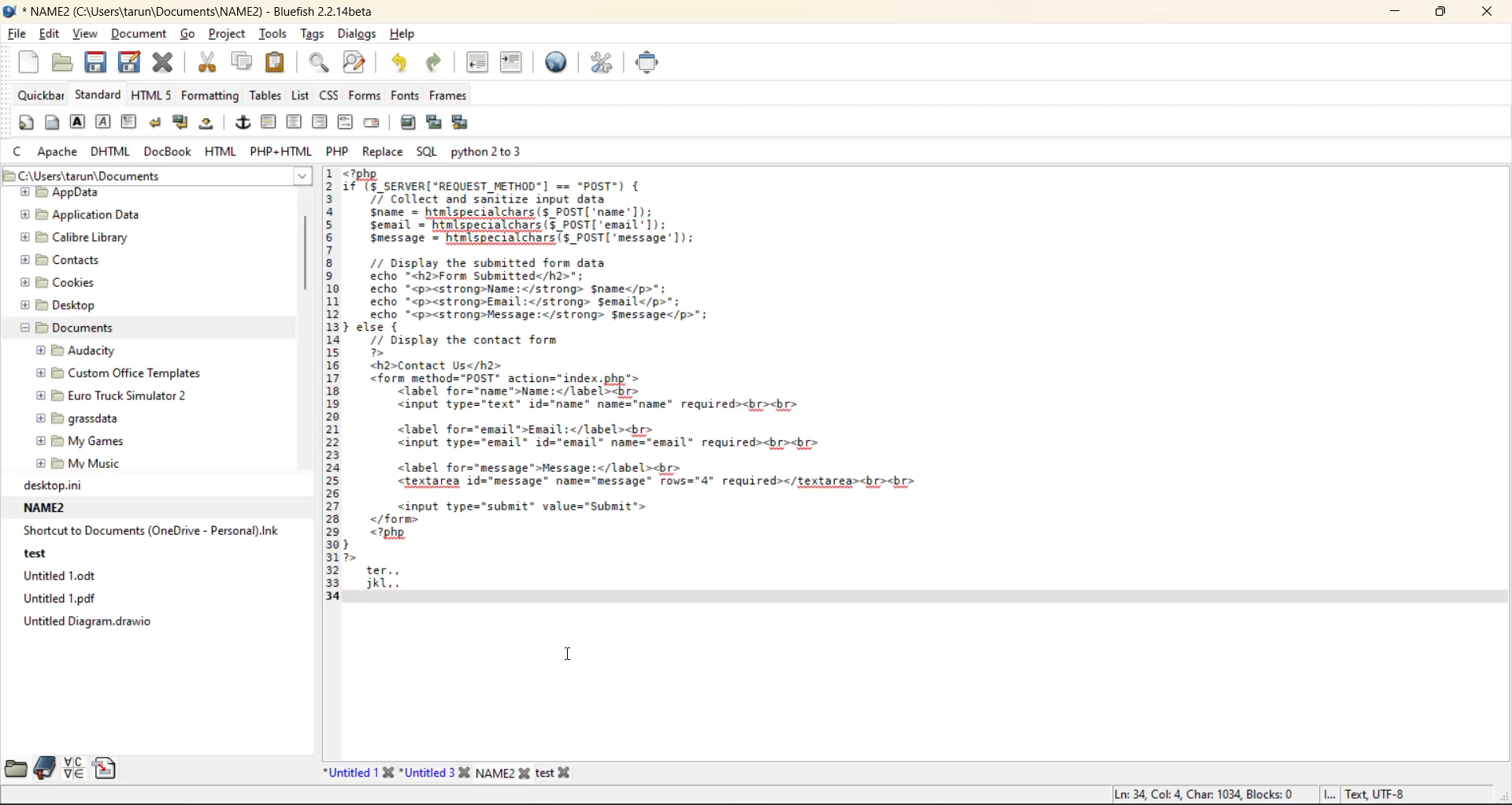 This screenshot has height=805, width=1512. I want to click on open, so click(59, 62).